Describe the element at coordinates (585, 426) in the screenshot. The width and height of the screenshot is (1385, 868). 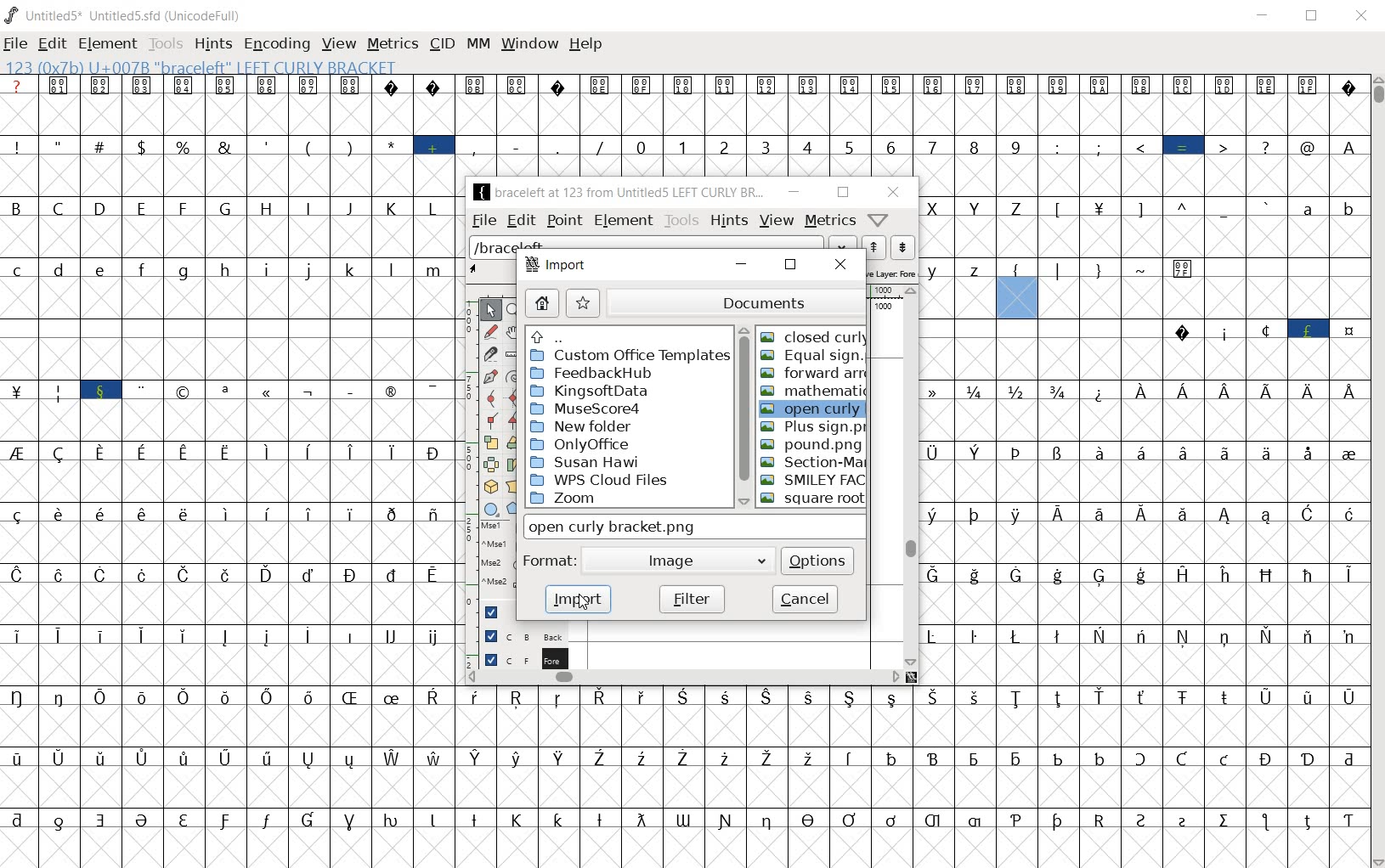
I see `New Folder` at that location.